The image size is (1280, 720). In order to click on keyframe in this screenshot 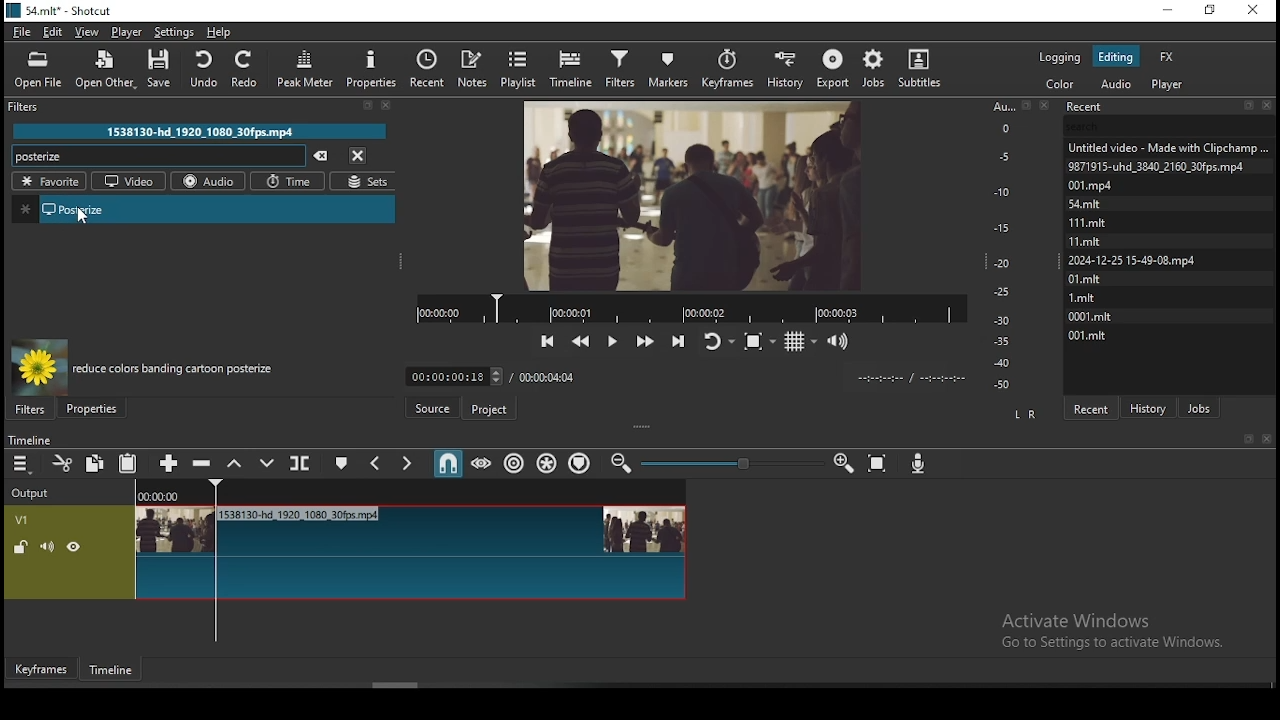, I will do `click(41, 670)`.